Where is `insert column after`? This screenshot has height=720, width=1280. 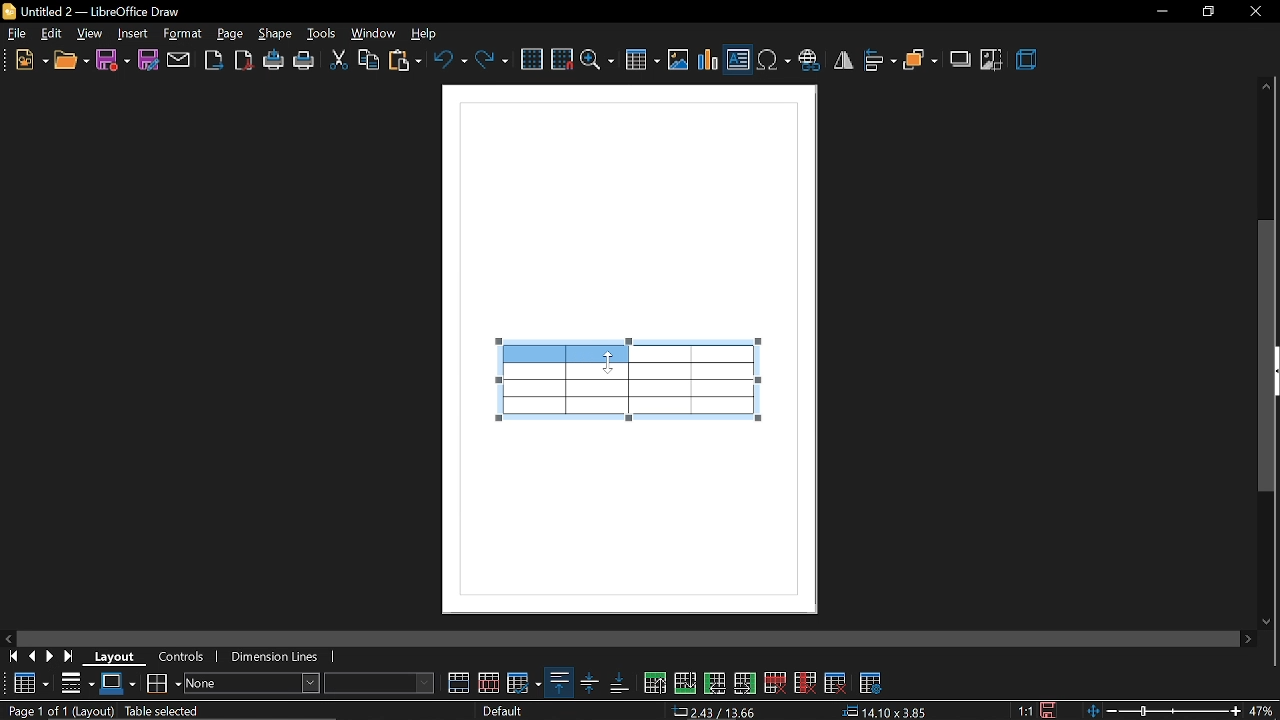
insert column after is located at coordinates (747, 681).